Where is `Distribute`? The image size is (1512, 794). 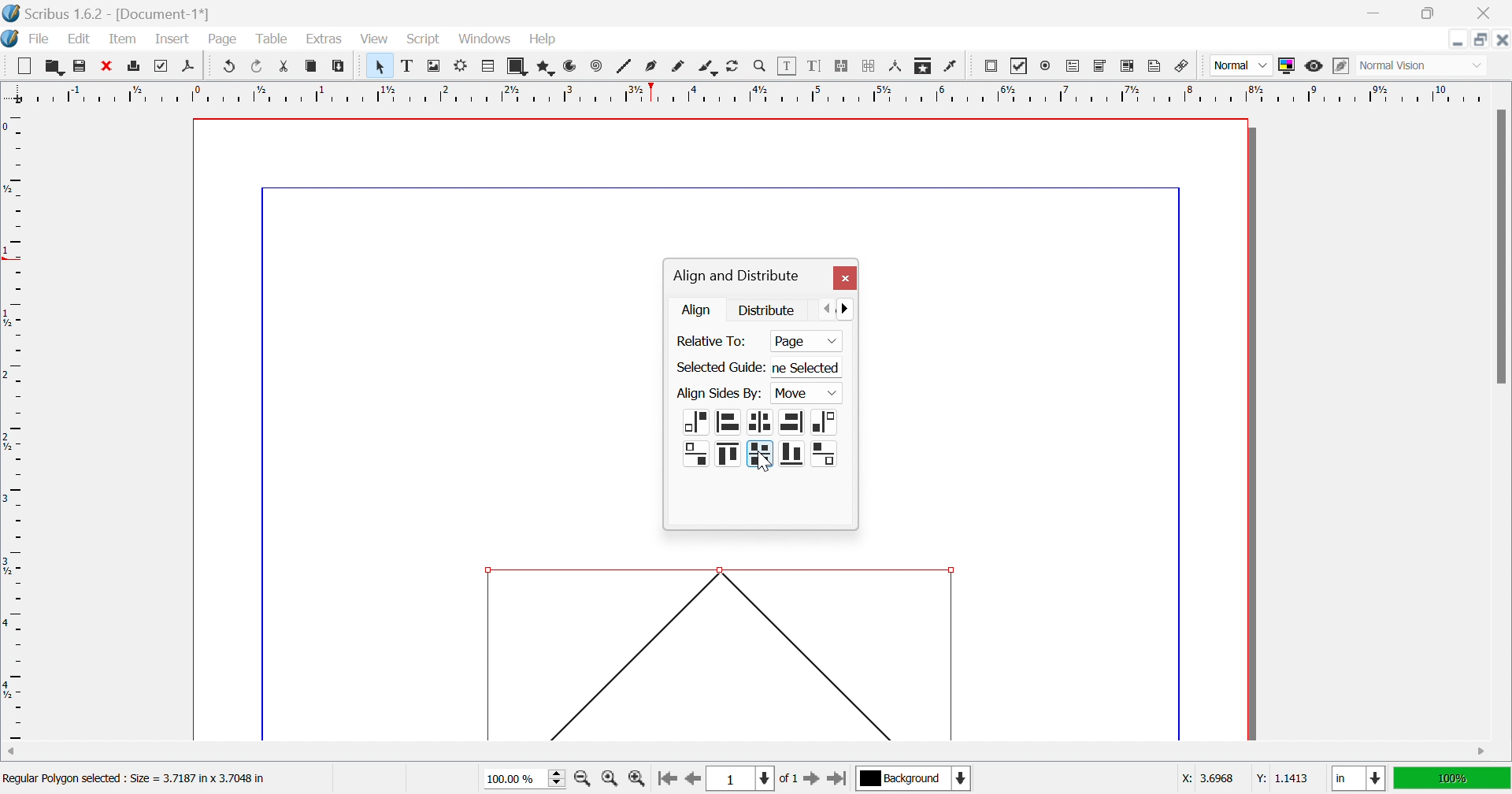 Distribute is located at coordinates (768, 309).